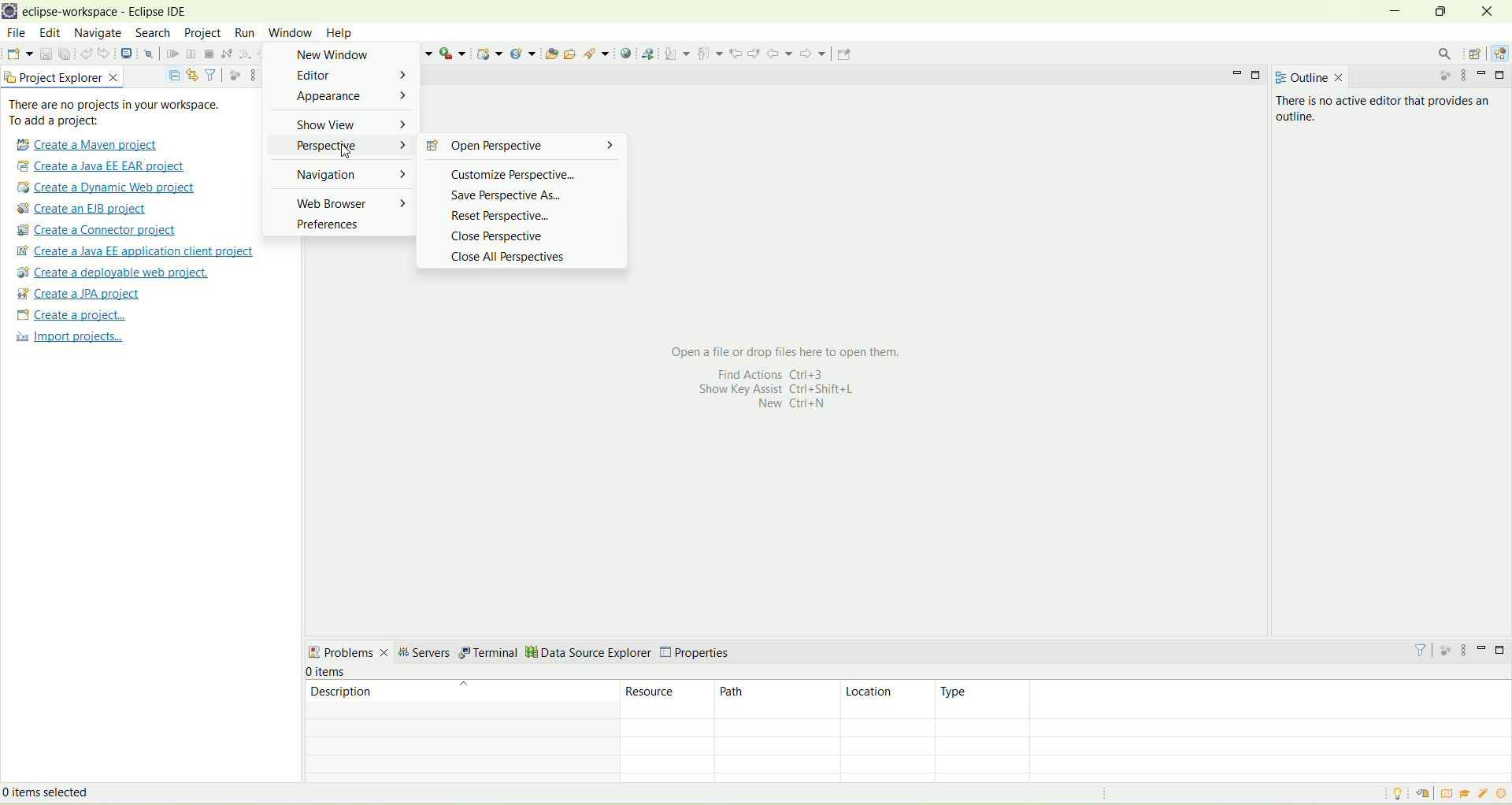 This screenshot has height=805, width=1512. I want to click on appearance, so click(347, 98).